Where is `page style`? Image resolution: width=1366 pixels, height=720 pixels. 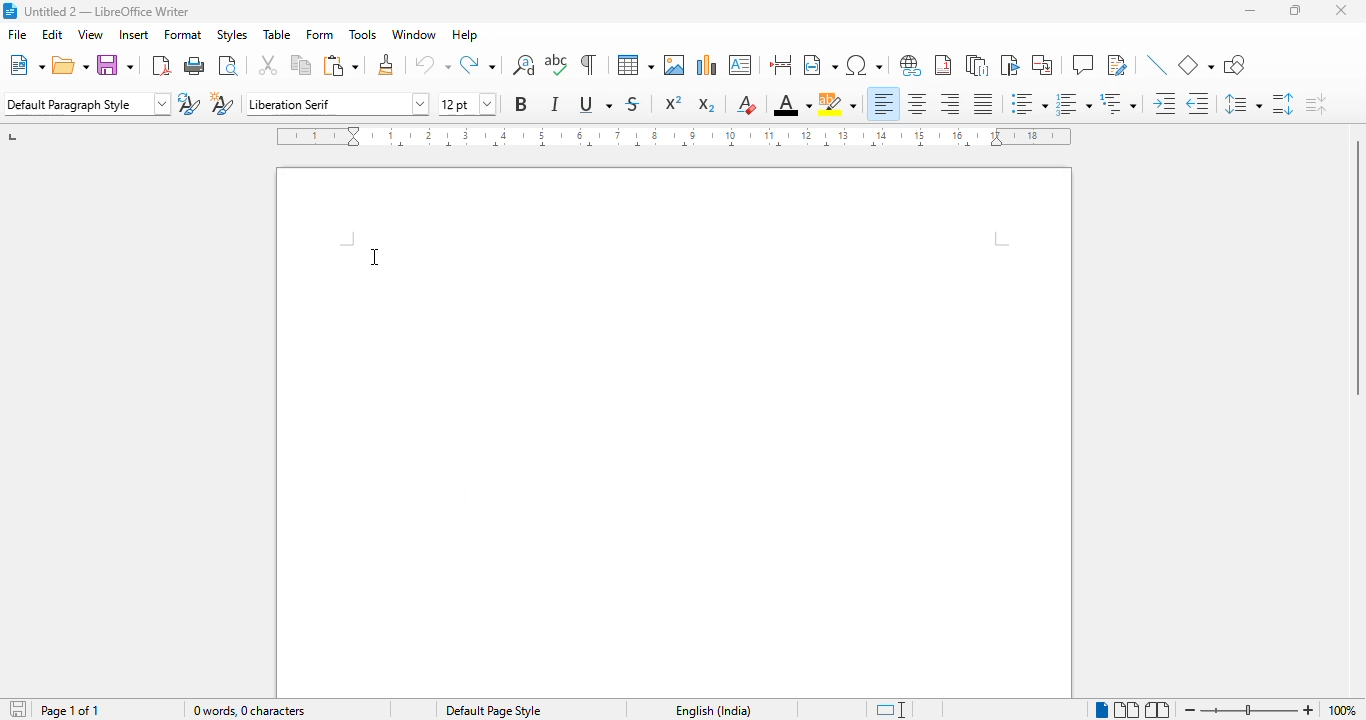
page style is located at coordinates (493, 710).